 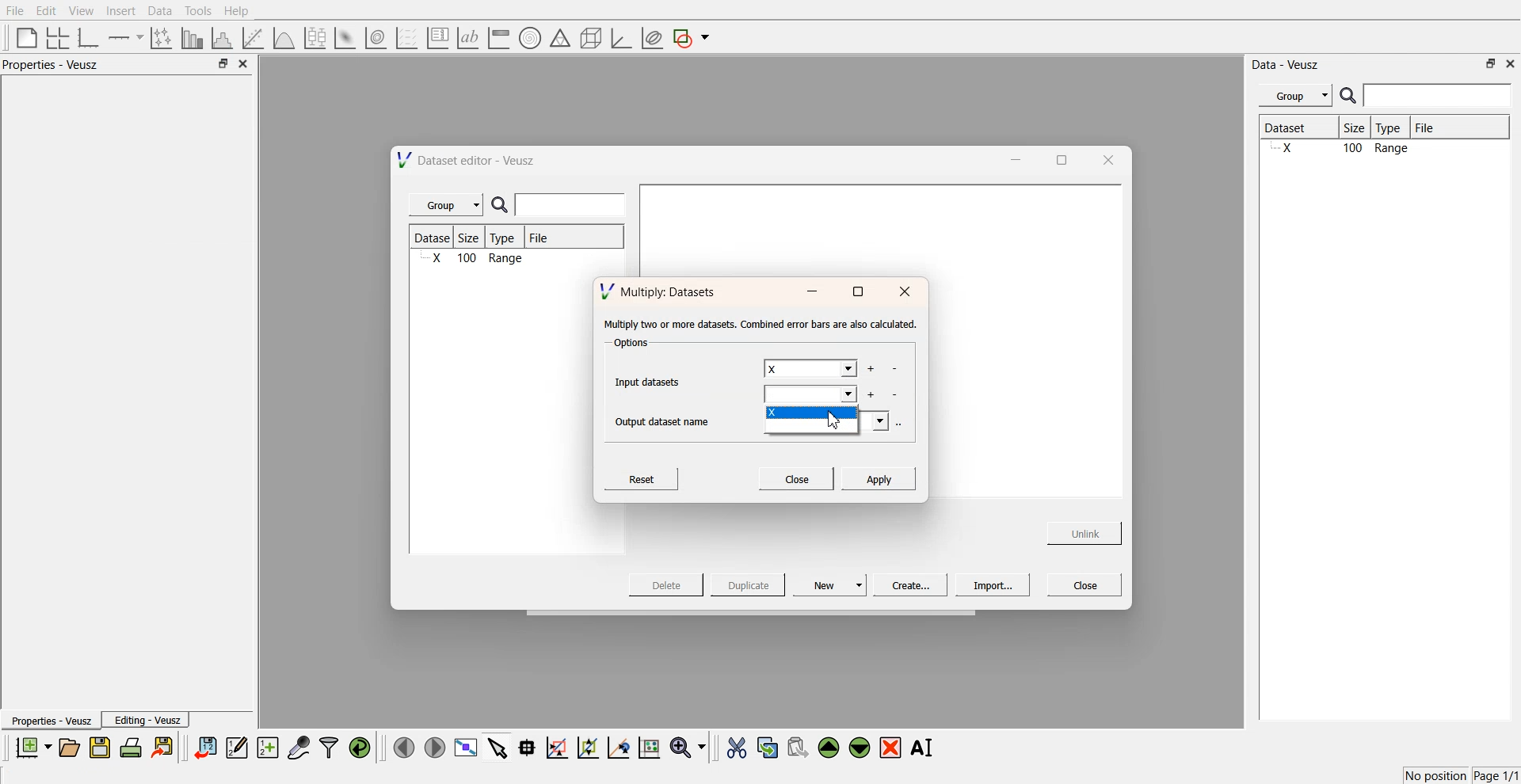 I want to click on copy the selected widgets, so click(x=768, y=747).